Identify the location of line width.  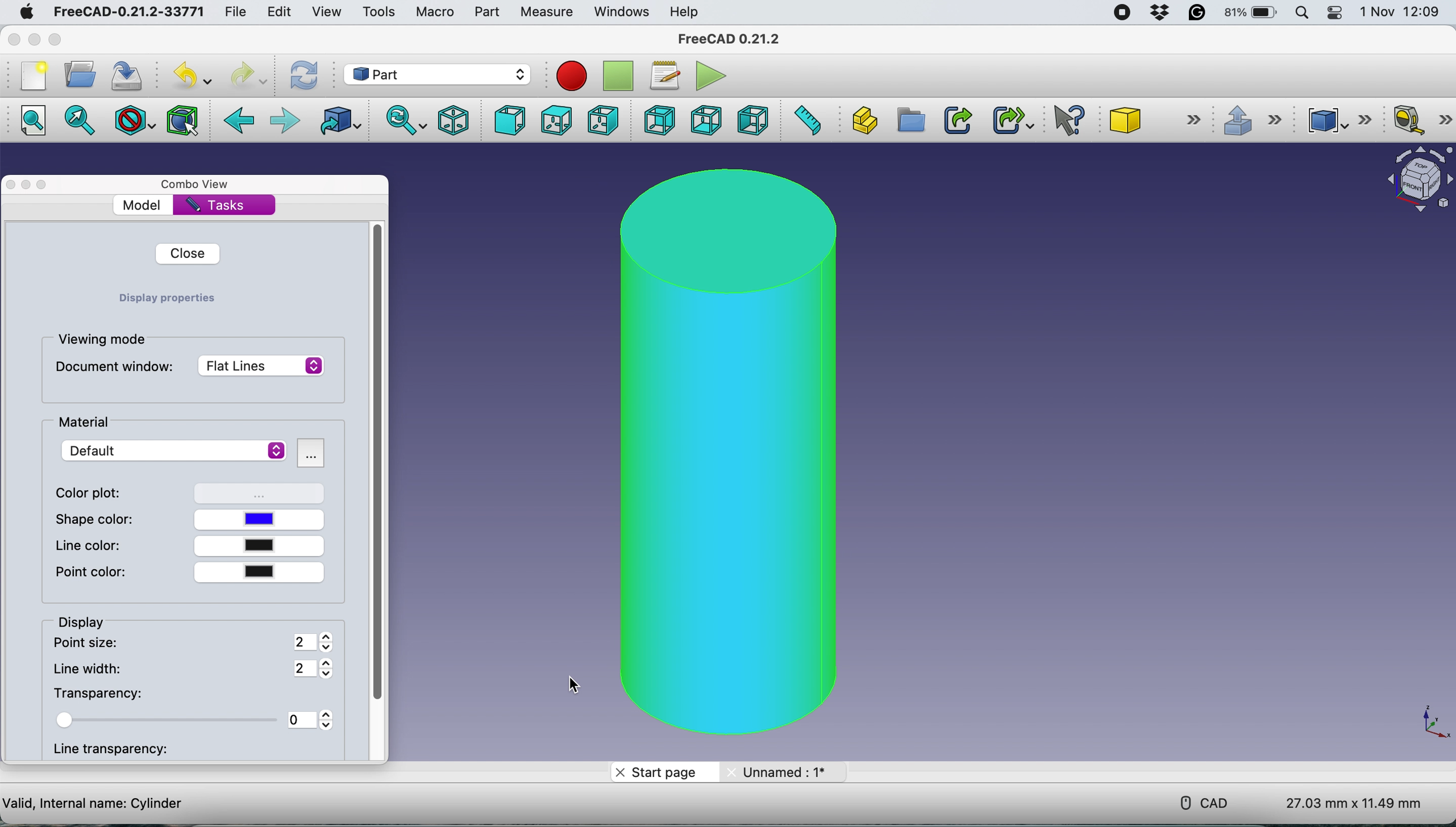
(194, 669).